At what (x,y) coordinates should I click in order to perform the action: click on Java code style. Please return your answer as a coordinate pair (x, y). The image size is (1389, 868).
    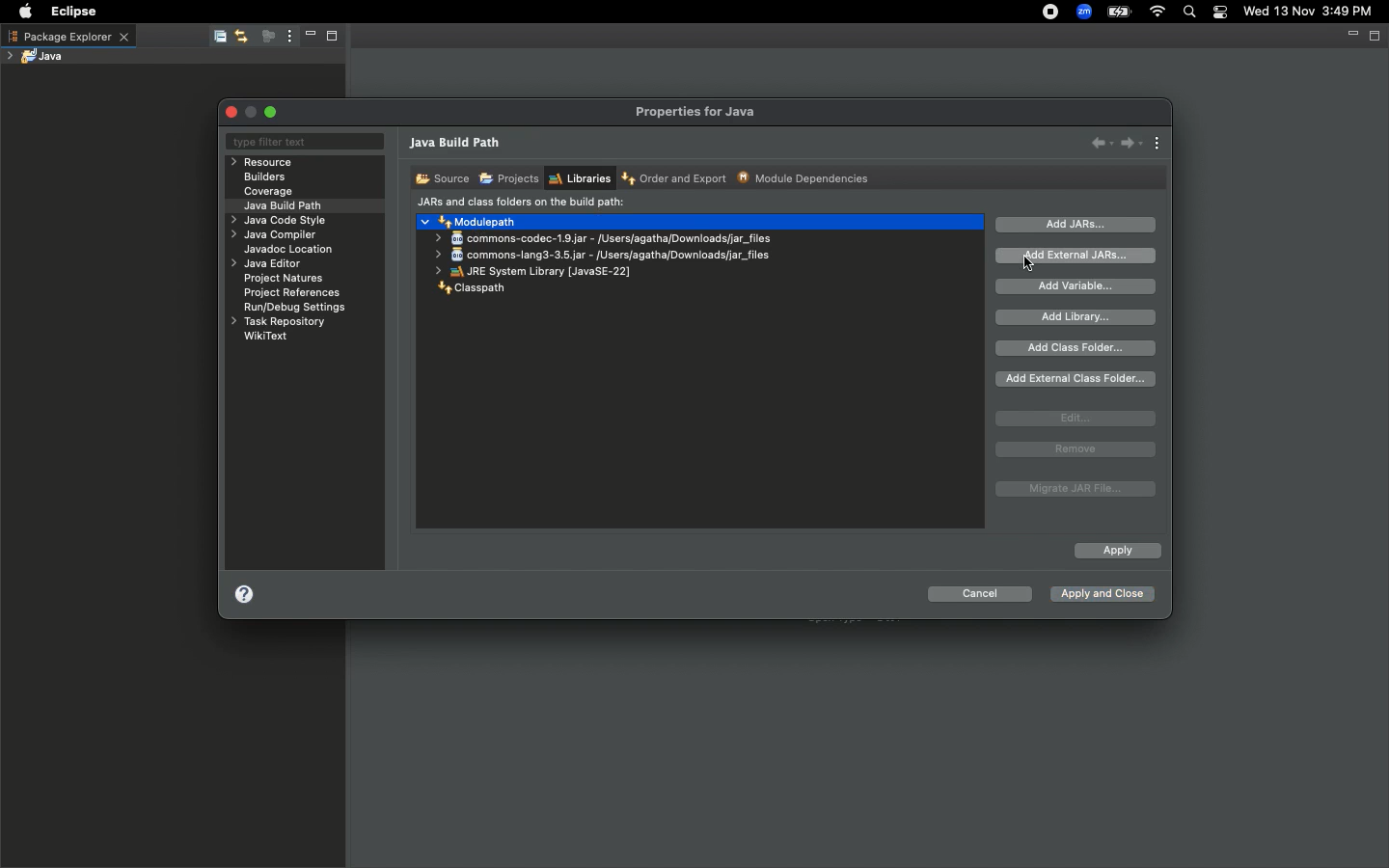
    Looking at the image, I should click on (276, 222).